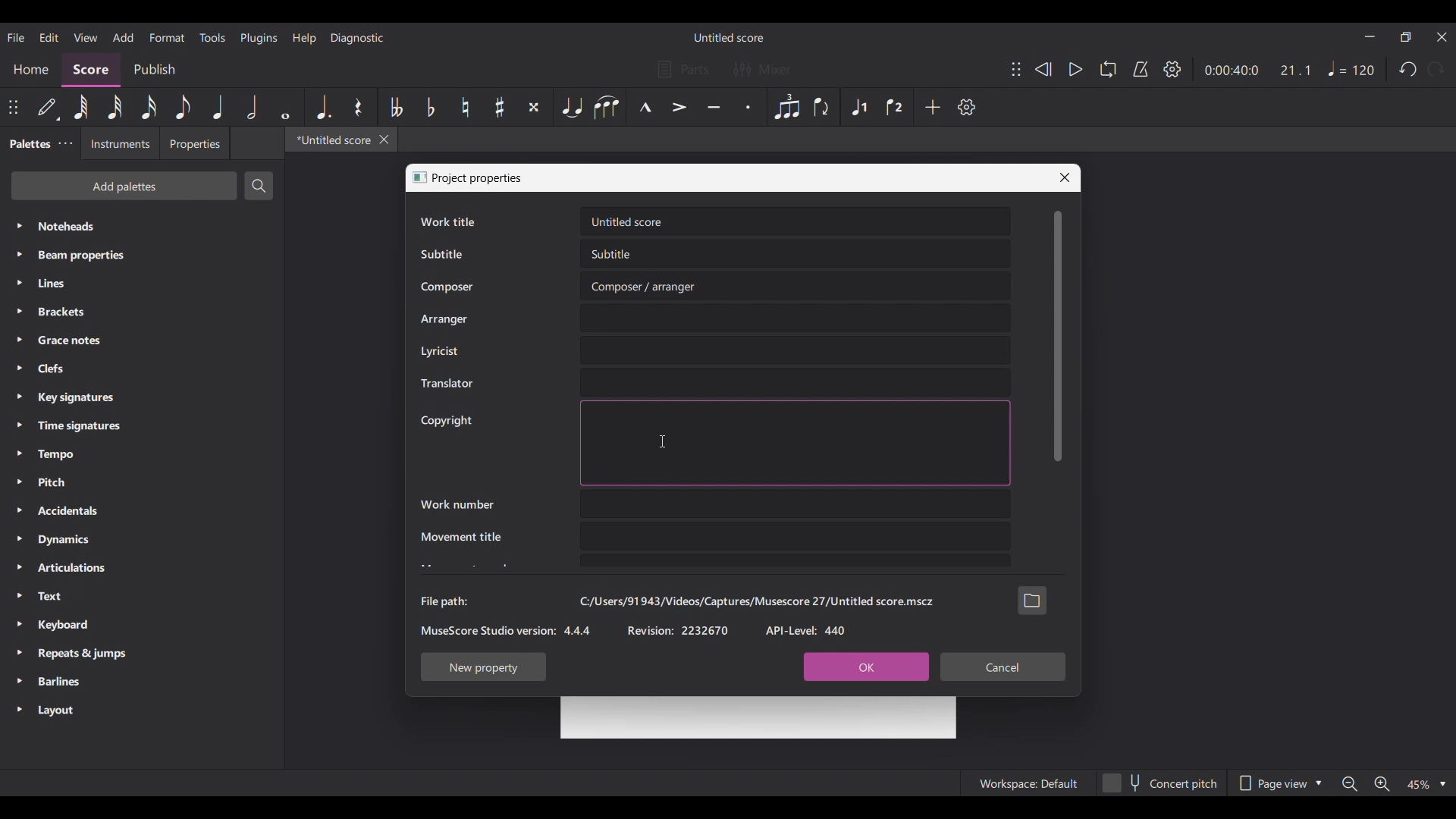  I want to click on Barlines, so click(143, 682).